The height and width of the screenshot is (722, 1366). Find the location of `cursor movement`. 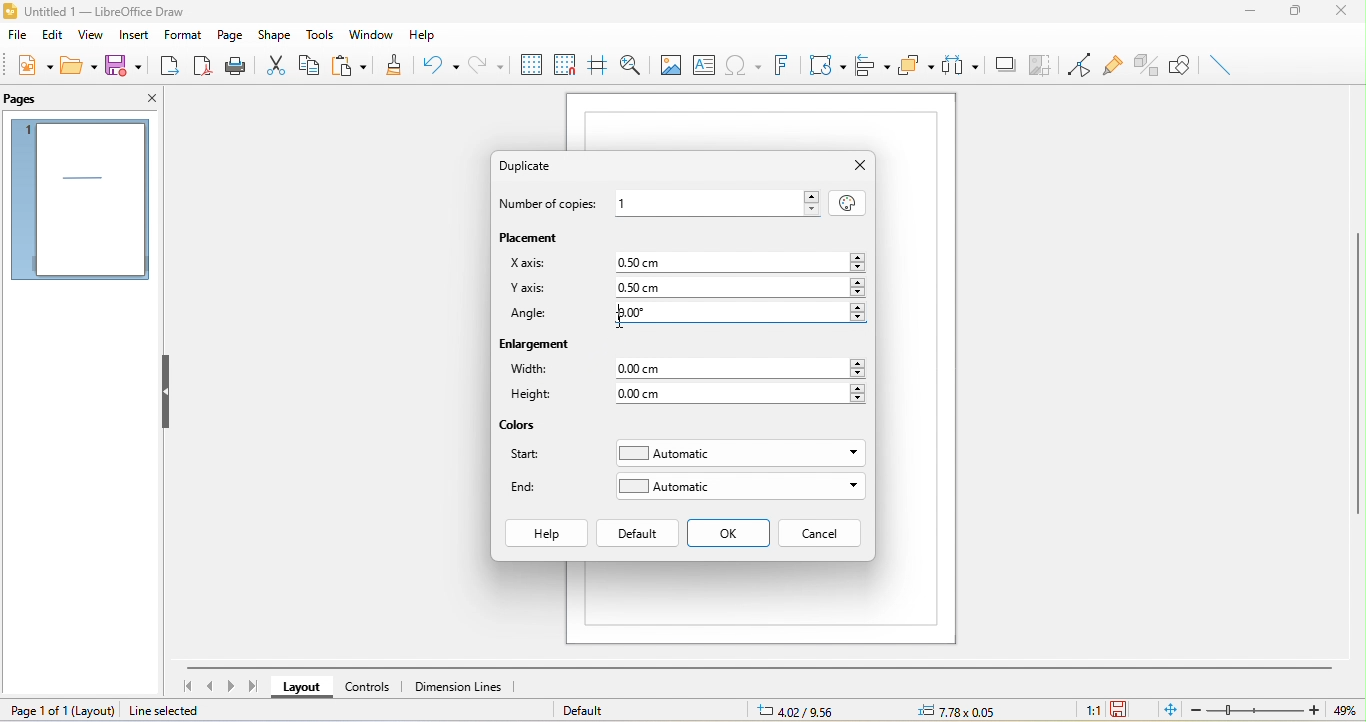

cursor movement is located at coordinates (625, 320).